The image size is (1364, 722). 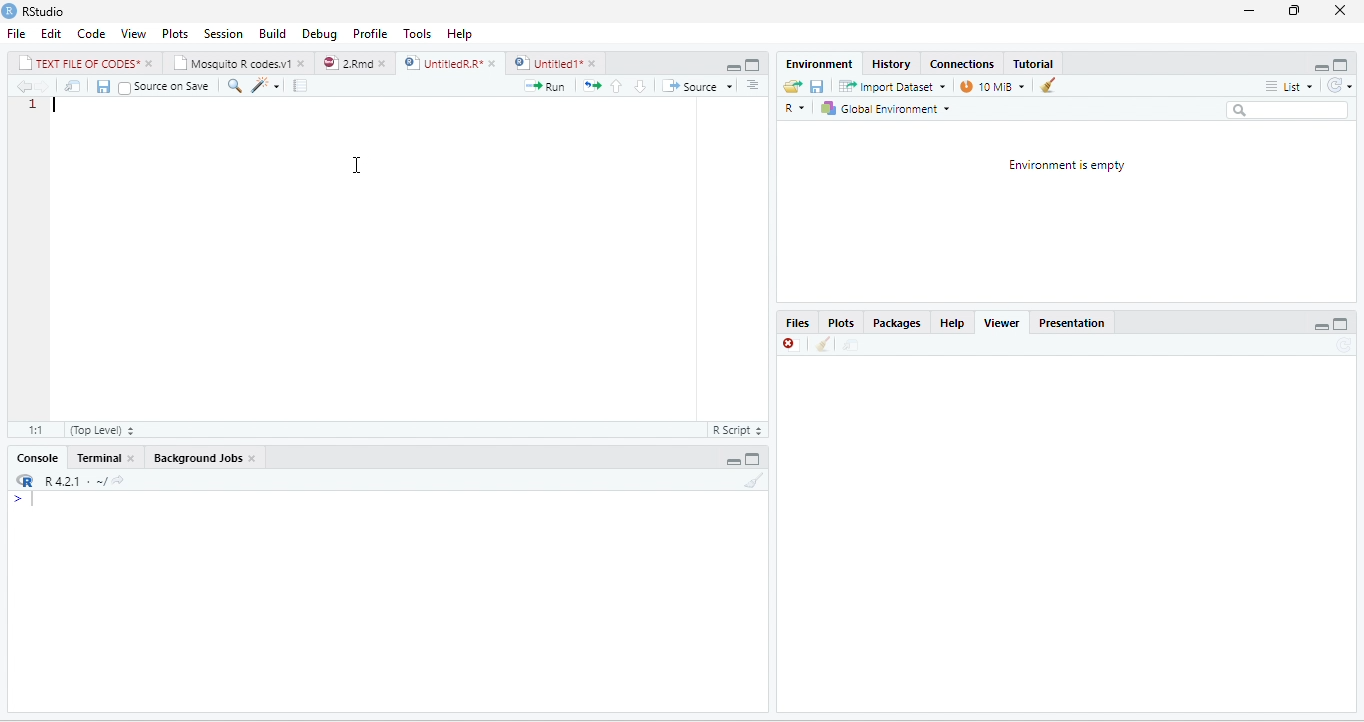 What do you see at coordinates (1343, 64) in the screenshot?
I see `maximize` at bounding box center [1343, 64].